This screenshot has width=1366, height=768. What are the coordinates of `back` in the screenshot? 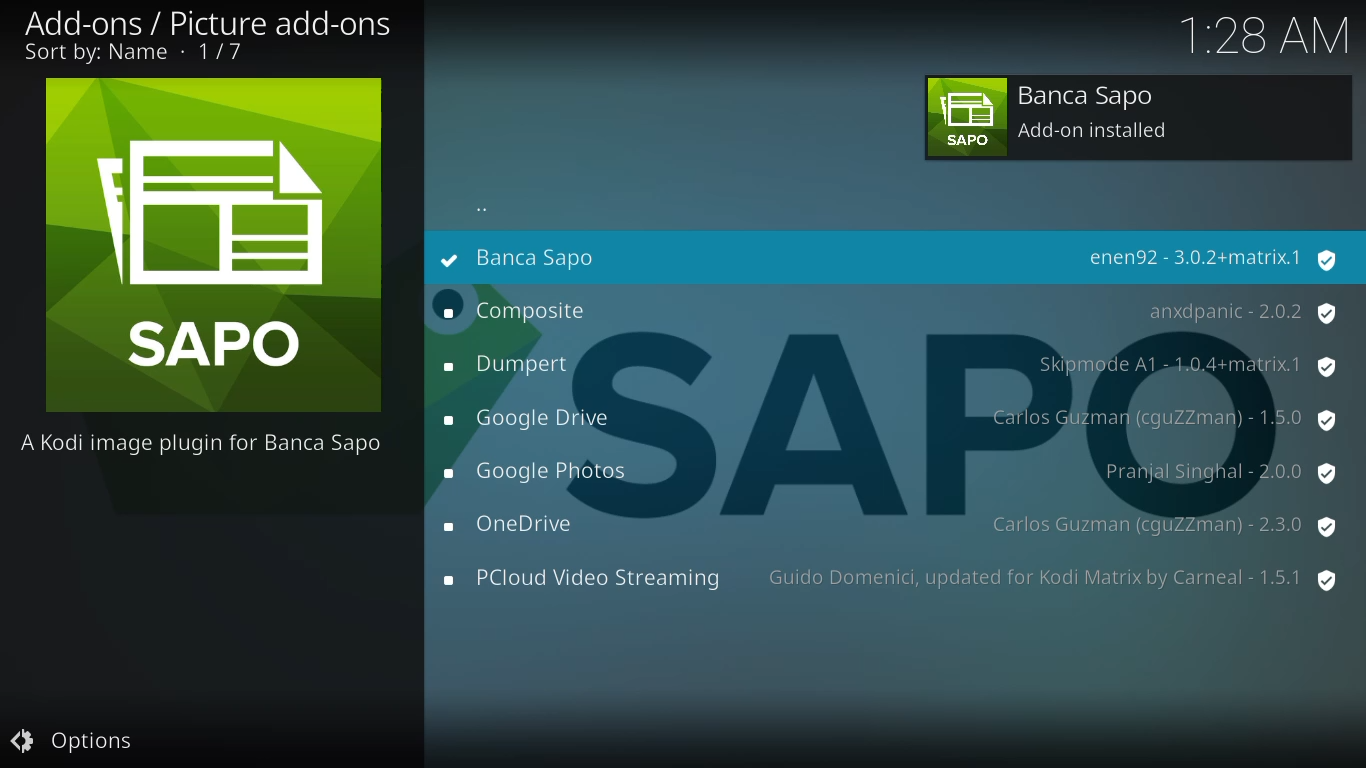 It's located at (484, 211).